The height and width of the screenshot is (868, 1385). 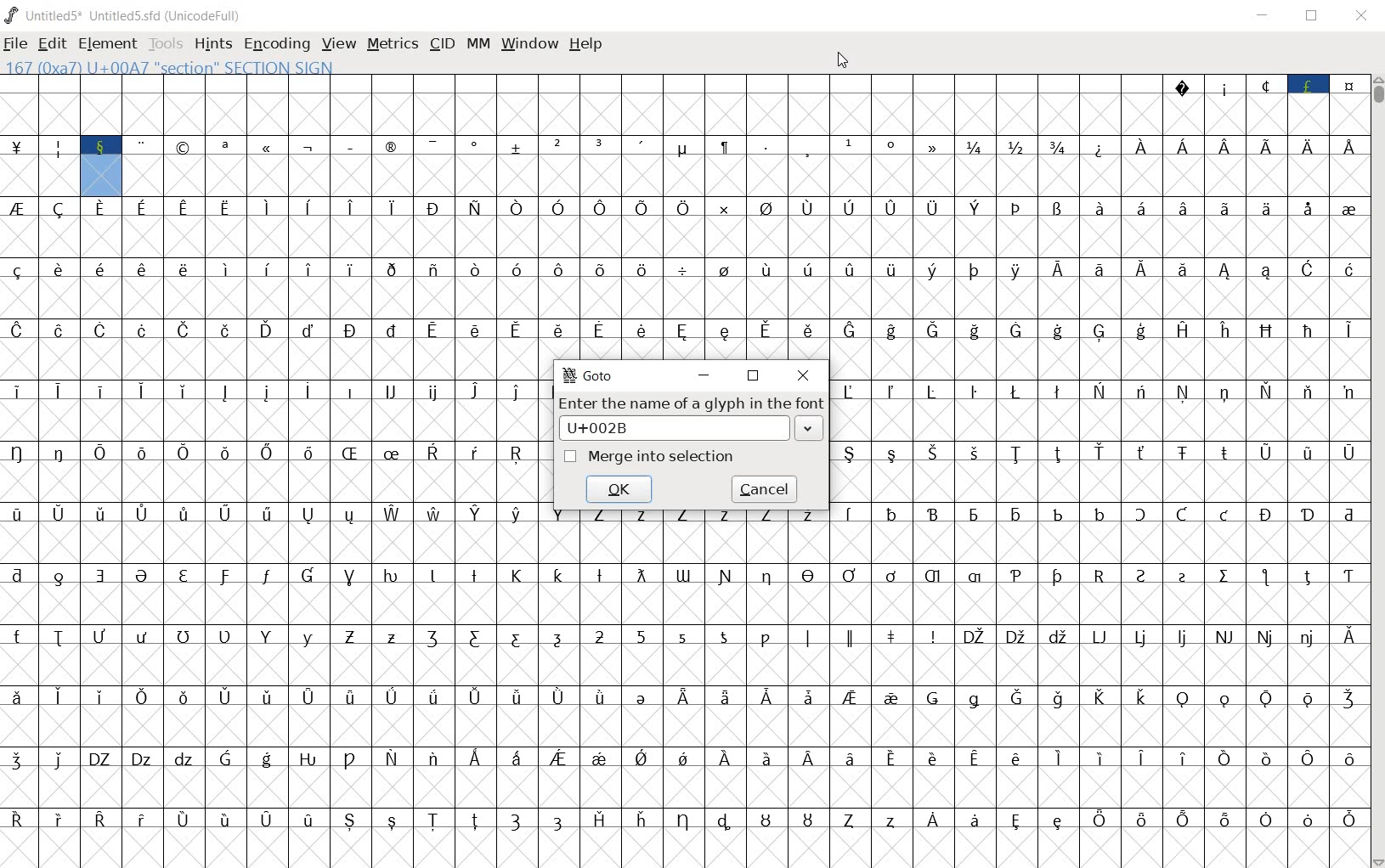 What do you see at coordinates (588, 375) in the screenshot?
I see `GoTo` at bounding box center [588, 375].